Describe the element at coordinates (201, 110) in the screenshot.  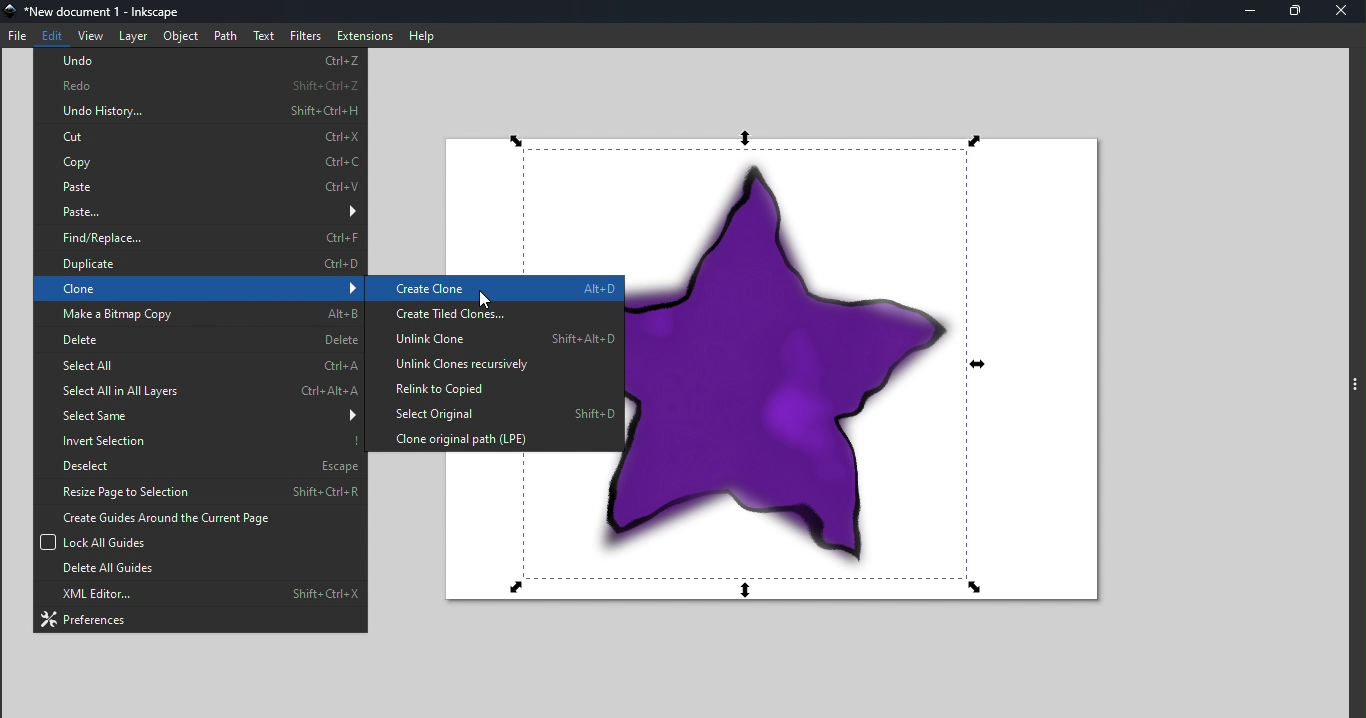
I see `undo history` at that location.